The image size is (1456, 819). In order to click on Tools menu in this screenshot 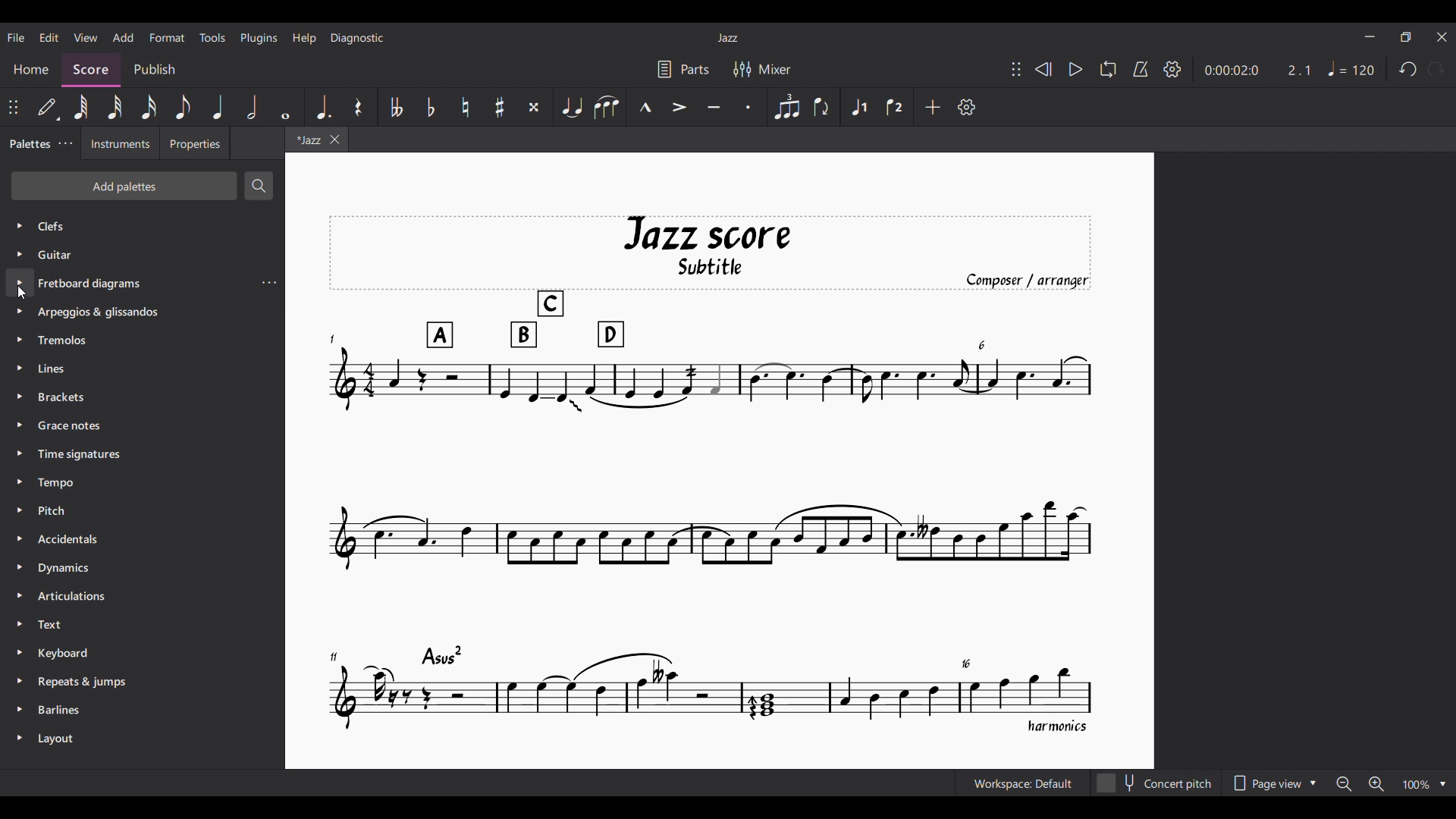, I will do `click(212, 37)`.